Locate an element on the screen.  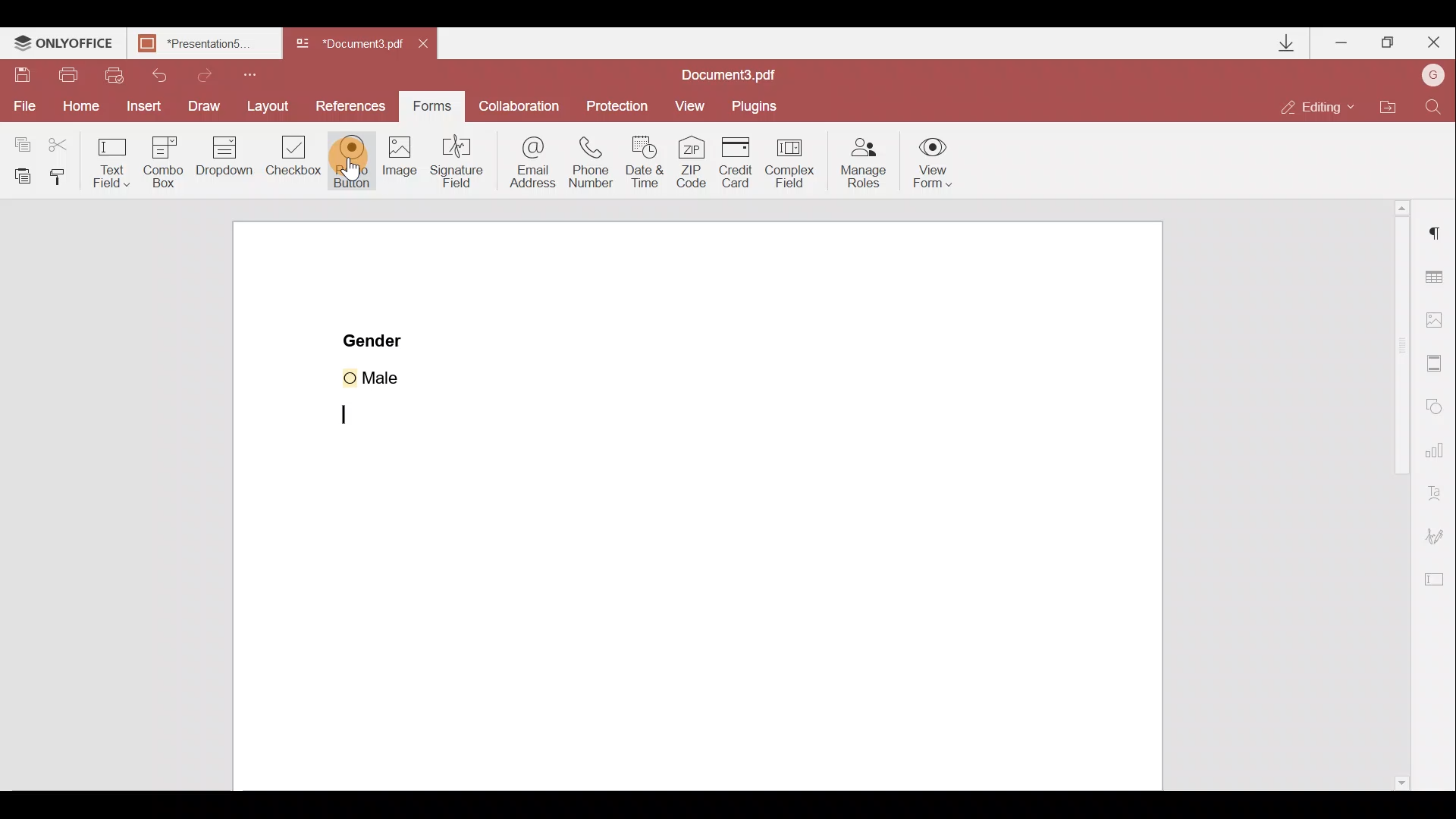
Date & time is located at coordinates (650, 164).